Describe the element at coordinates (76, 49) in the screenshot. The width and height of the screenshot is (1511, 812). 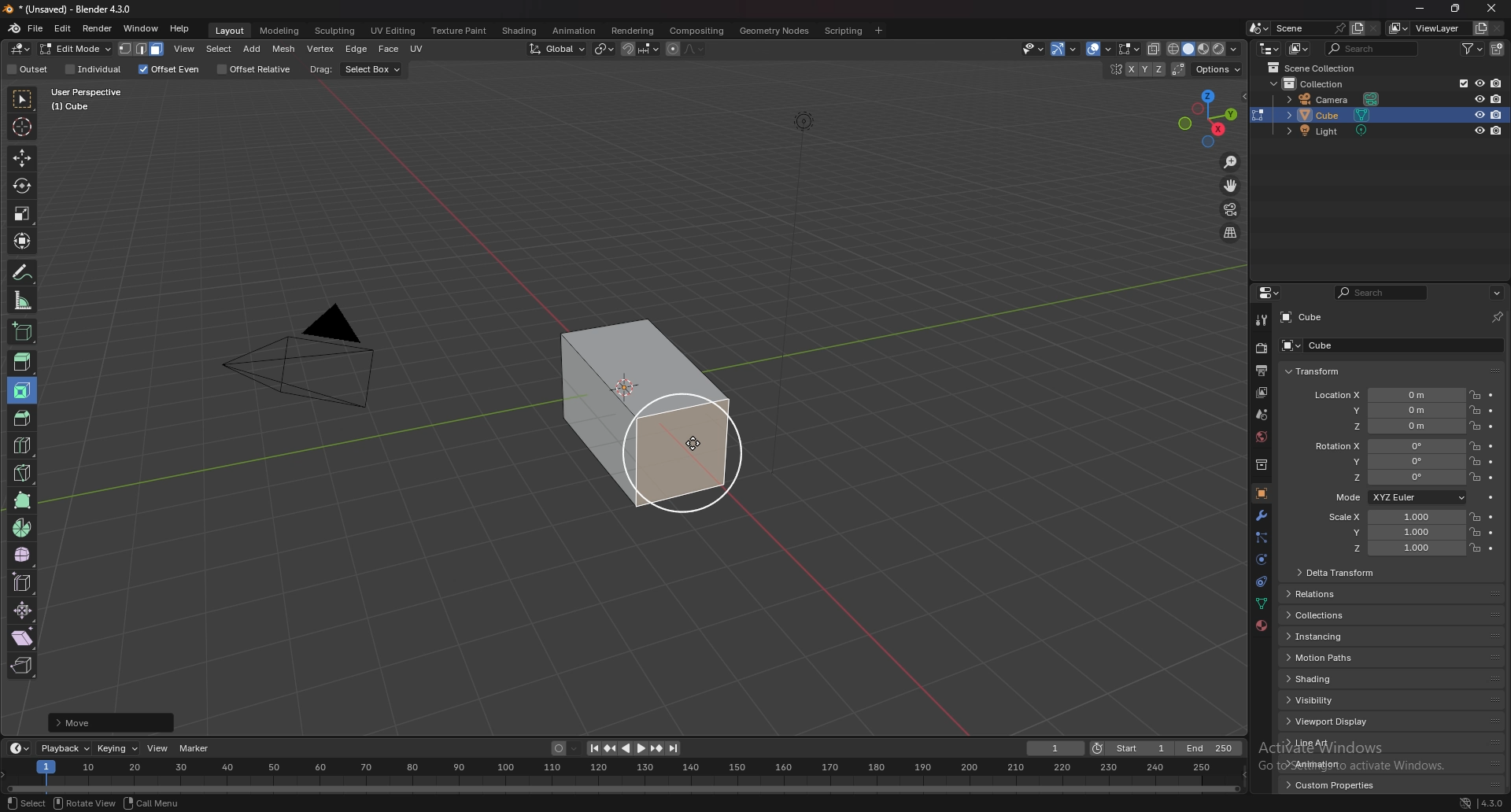
I see `edit mode` at that location.